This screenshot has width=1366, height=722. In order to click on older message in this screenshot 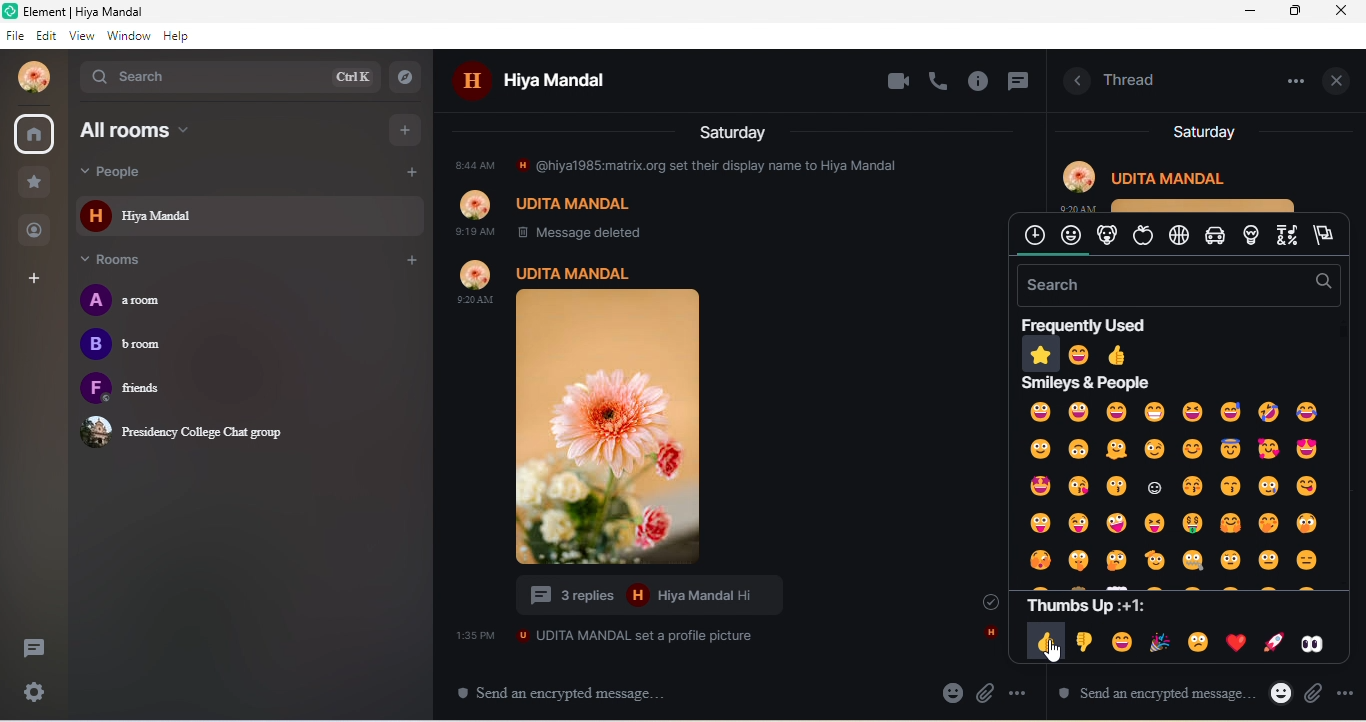, I will do `click(718, 197)`.